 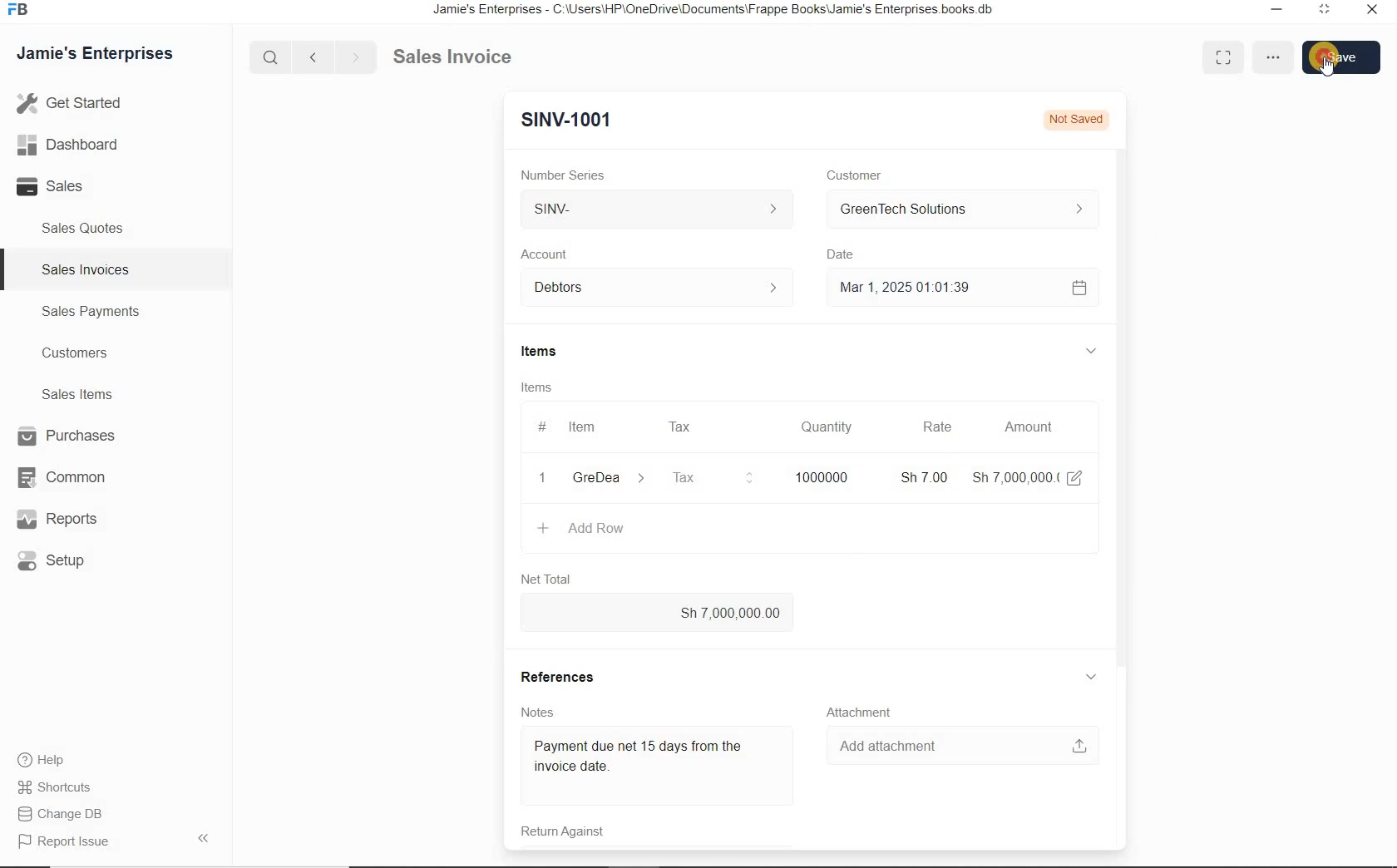 I want to click on edit, so click(x=1075, y=476).